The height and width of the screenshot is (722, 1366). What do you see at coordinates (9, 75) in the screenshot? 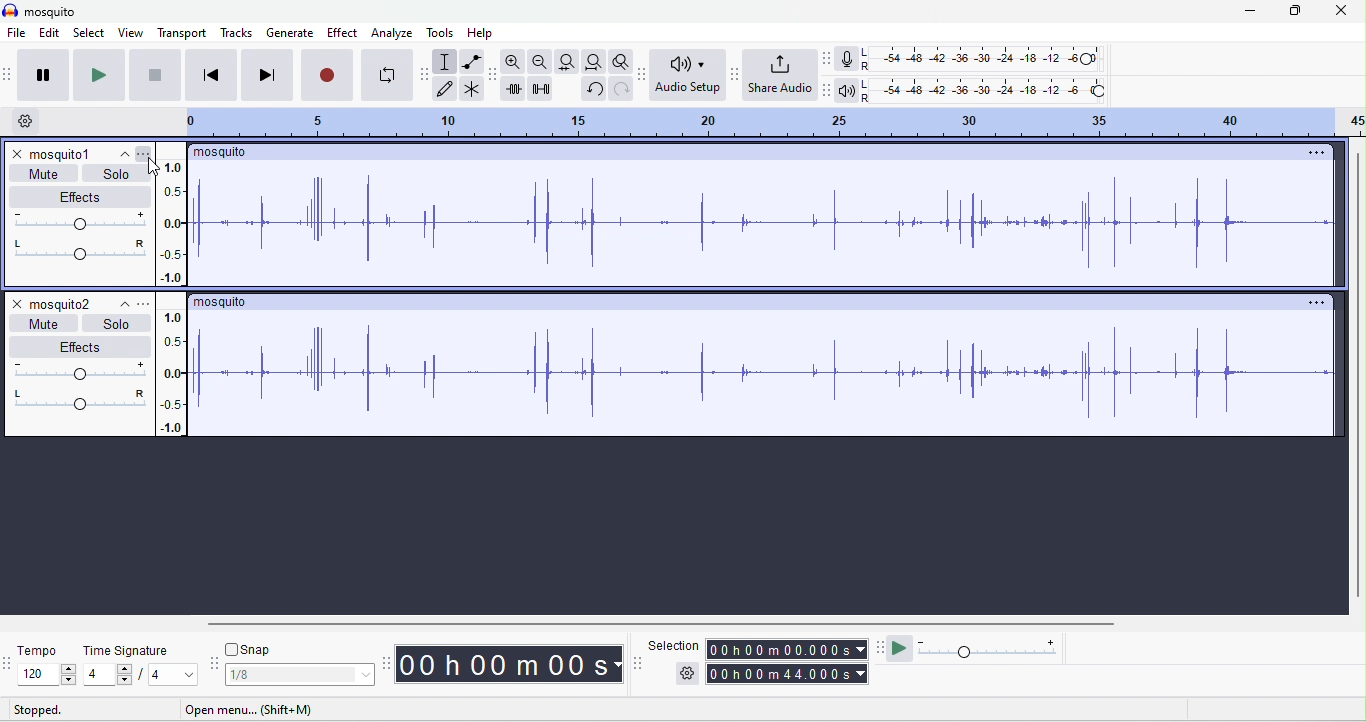
I see `audacity audio transport tool bar` at bounding box center [9, 75].